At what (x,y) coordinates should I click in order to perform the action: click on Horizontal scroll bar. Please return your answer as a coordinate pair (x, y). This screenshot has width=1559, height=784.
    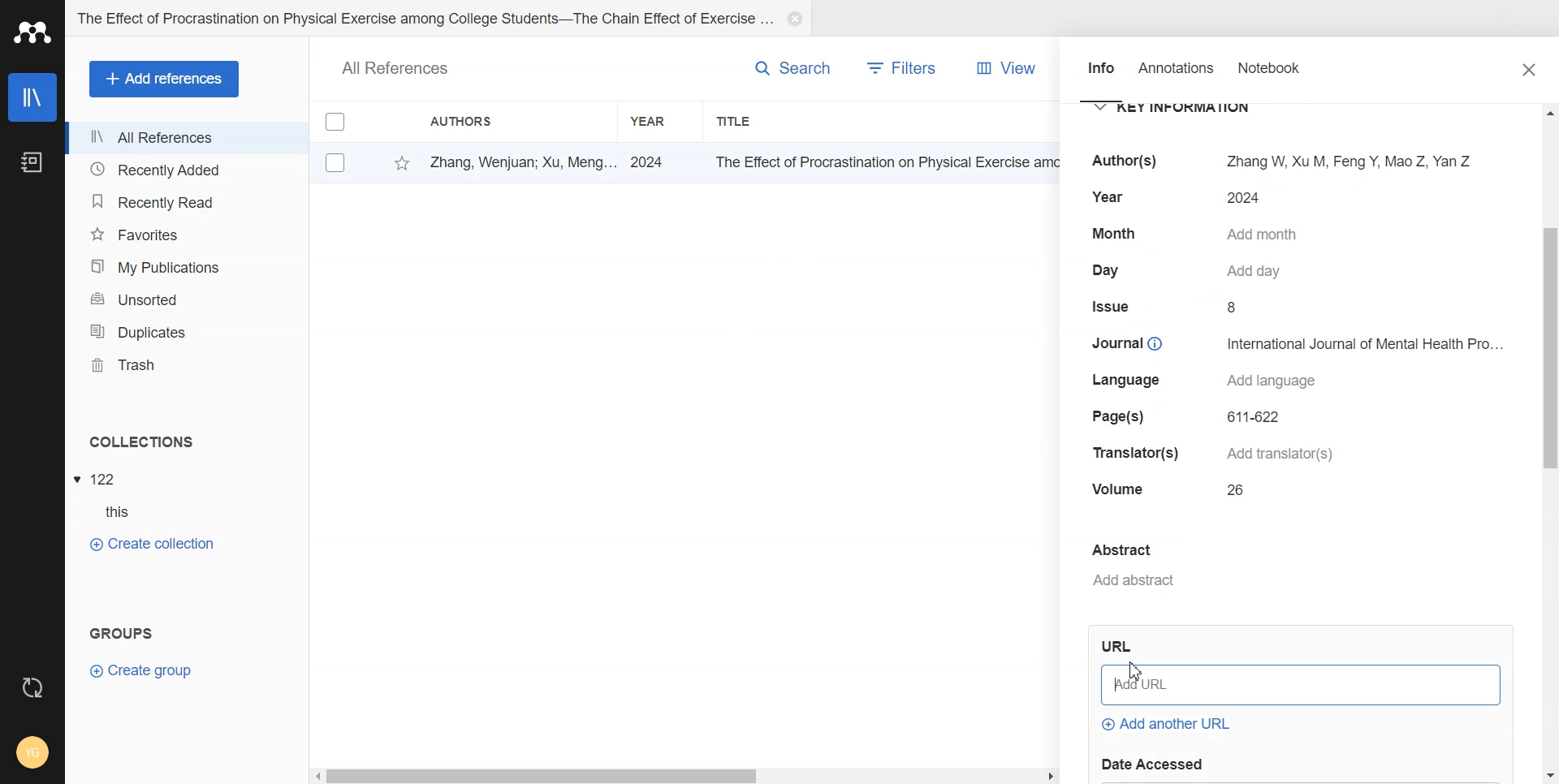
    Looking at the image, I should click on (684, 776).